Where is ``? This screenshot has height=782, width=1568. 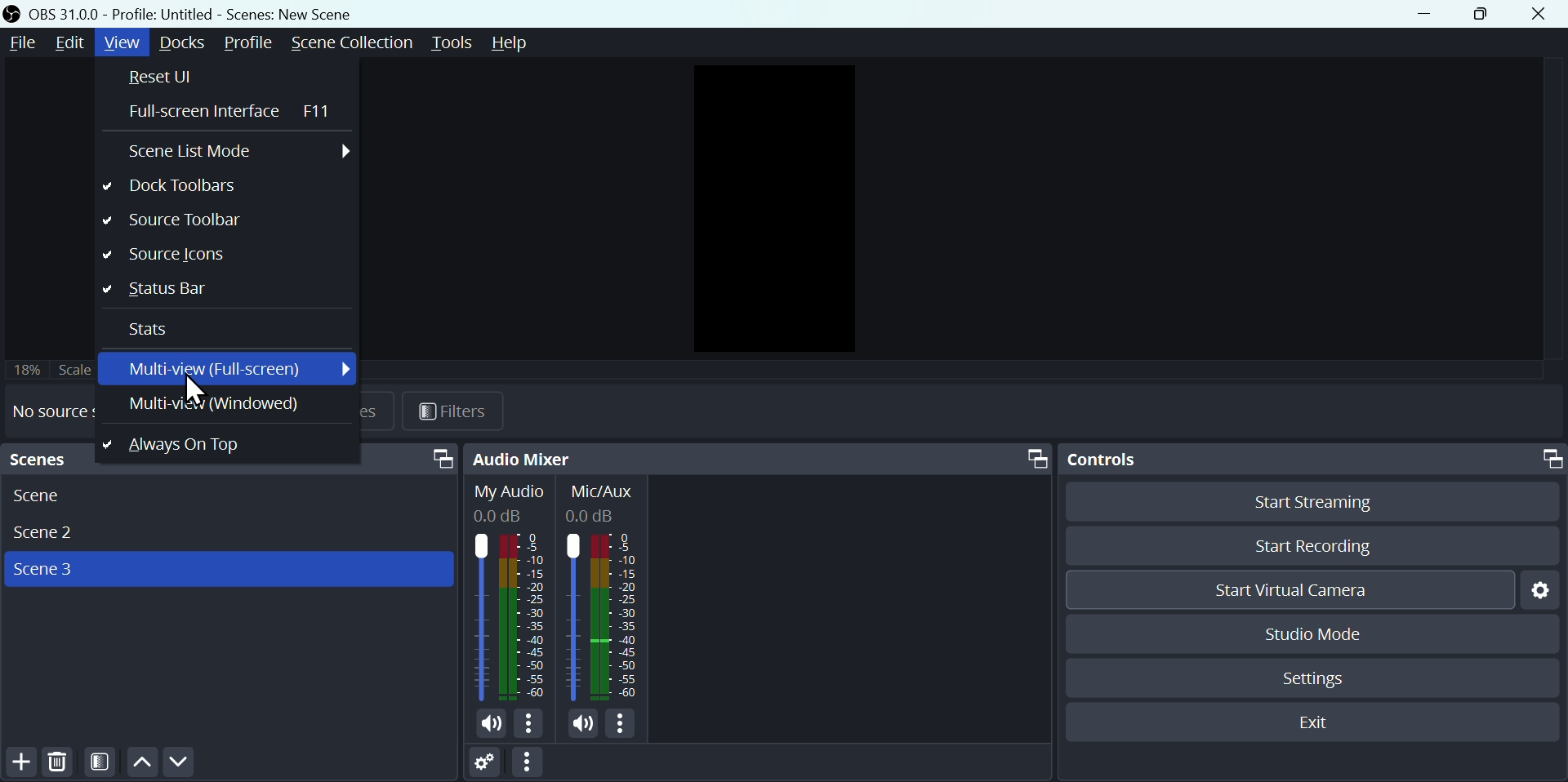  is located at coordinates (1476, 13).